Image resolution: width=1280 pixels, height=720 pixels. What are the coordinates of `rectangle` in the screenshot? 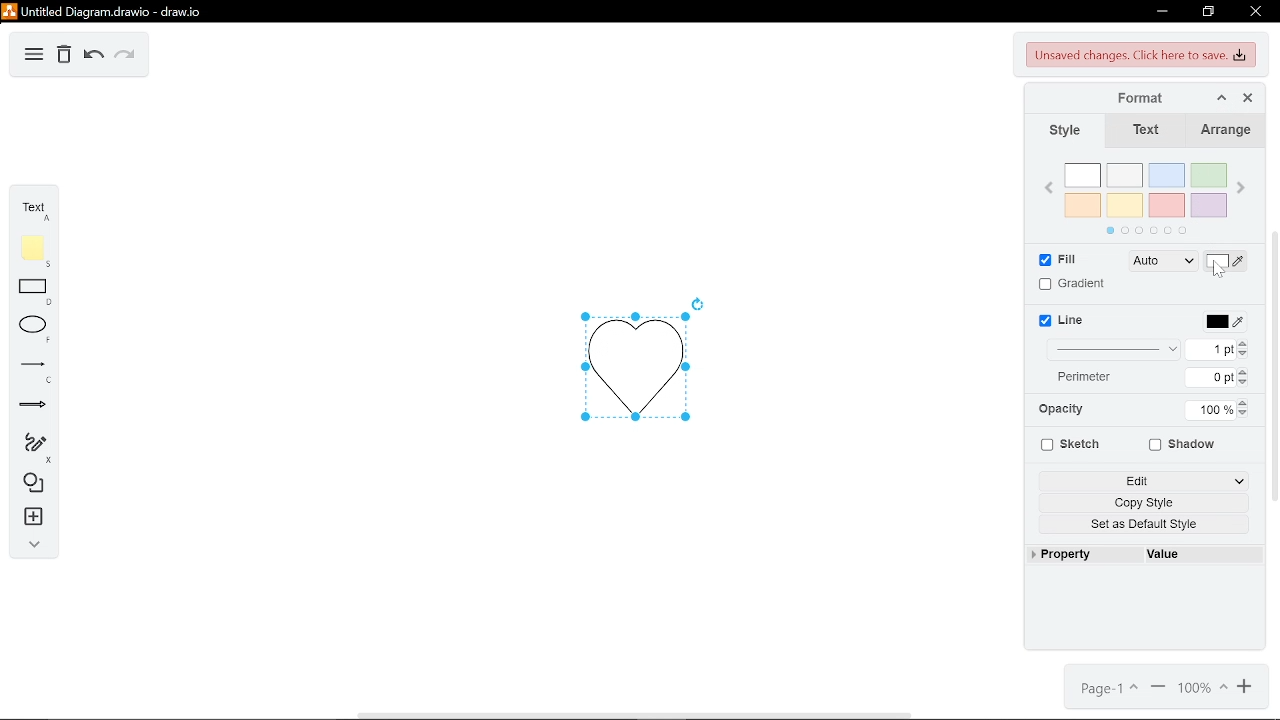 It's located at (33, 293).